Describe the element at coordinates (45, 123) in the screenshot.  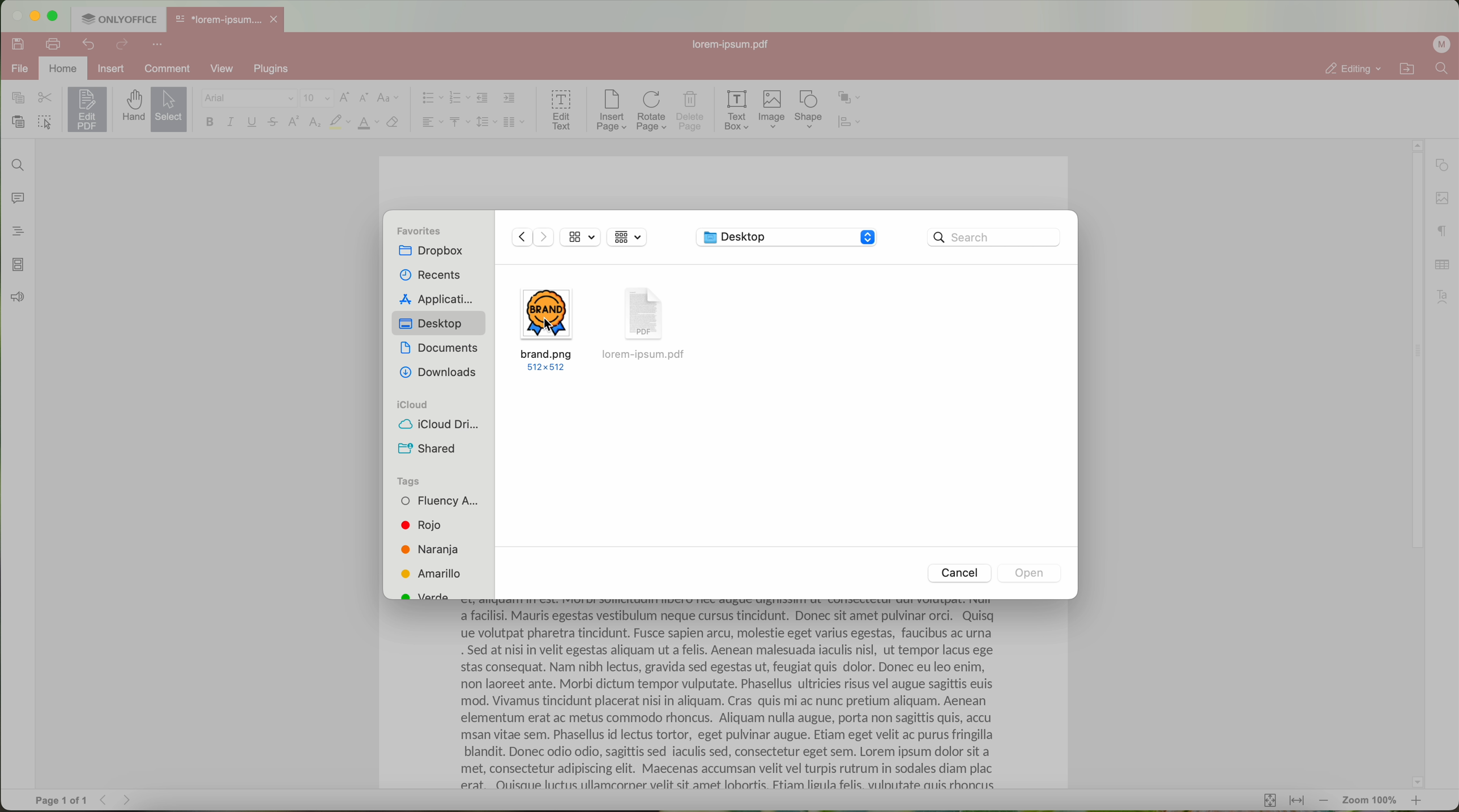
I see `select all` at that location.